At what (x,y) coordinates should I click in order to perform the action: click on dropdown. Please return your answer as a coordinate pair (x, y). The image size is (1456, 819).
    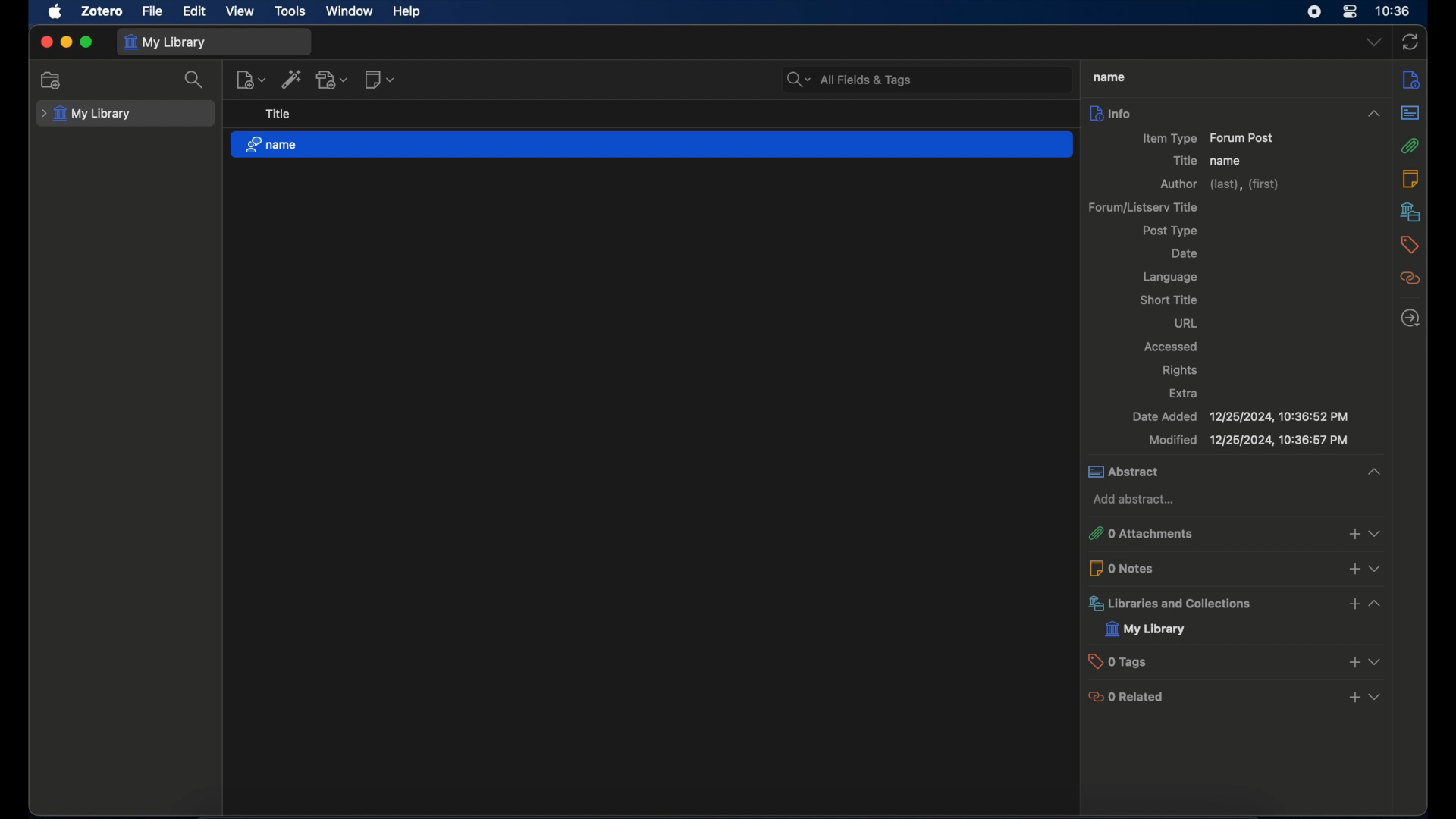
    Looking at the image, I should click on (1373, 42).